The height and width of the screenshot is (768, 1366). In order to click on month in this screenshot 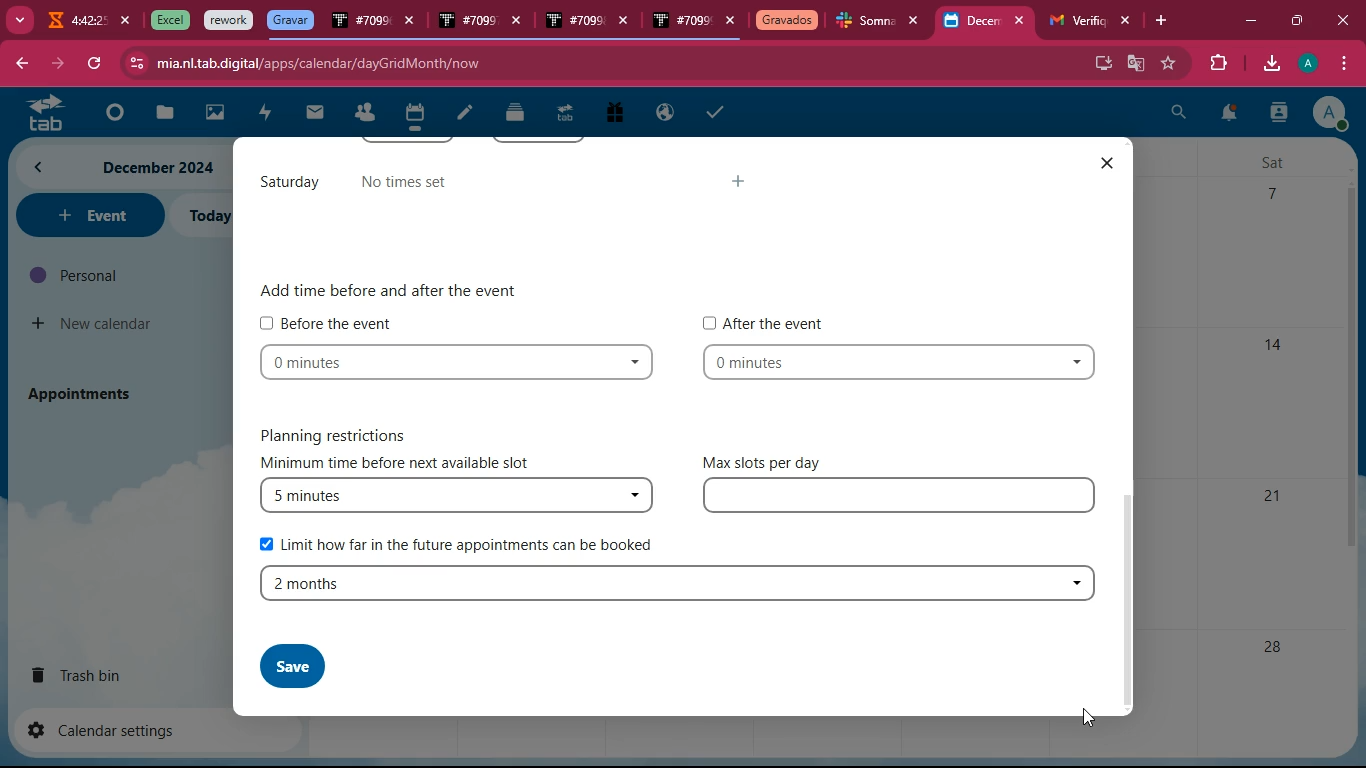, I will do `click(120, 167)`.